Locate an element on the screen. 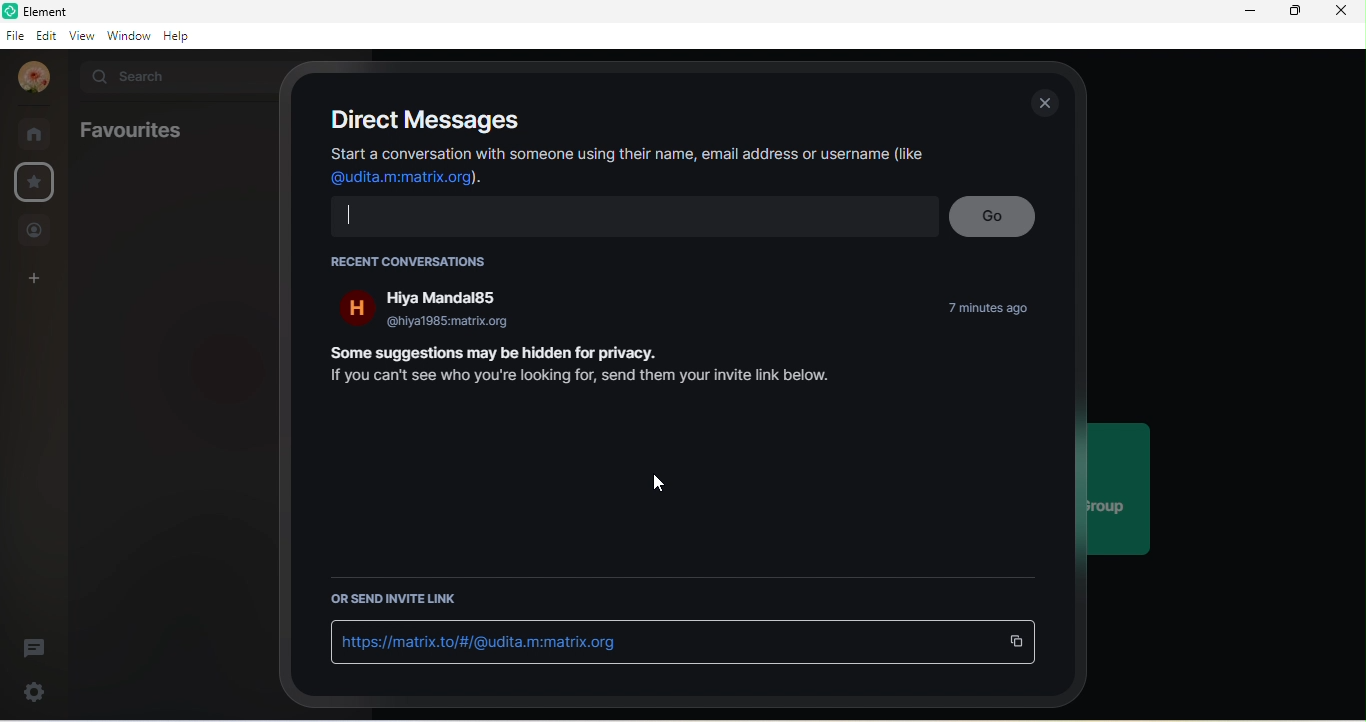  7 min ago is located at coordinates (986, 309).